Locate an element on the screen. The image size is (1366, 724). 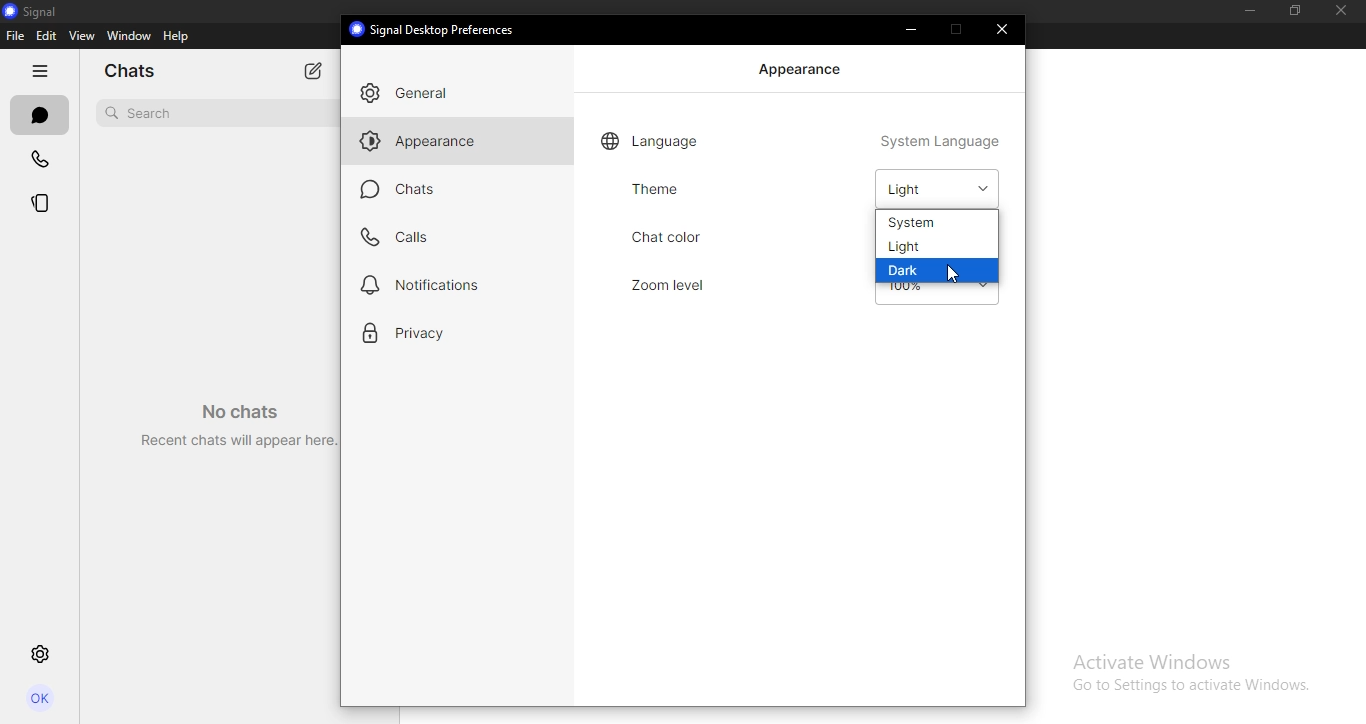
chats is located at coordinates (400, 189).